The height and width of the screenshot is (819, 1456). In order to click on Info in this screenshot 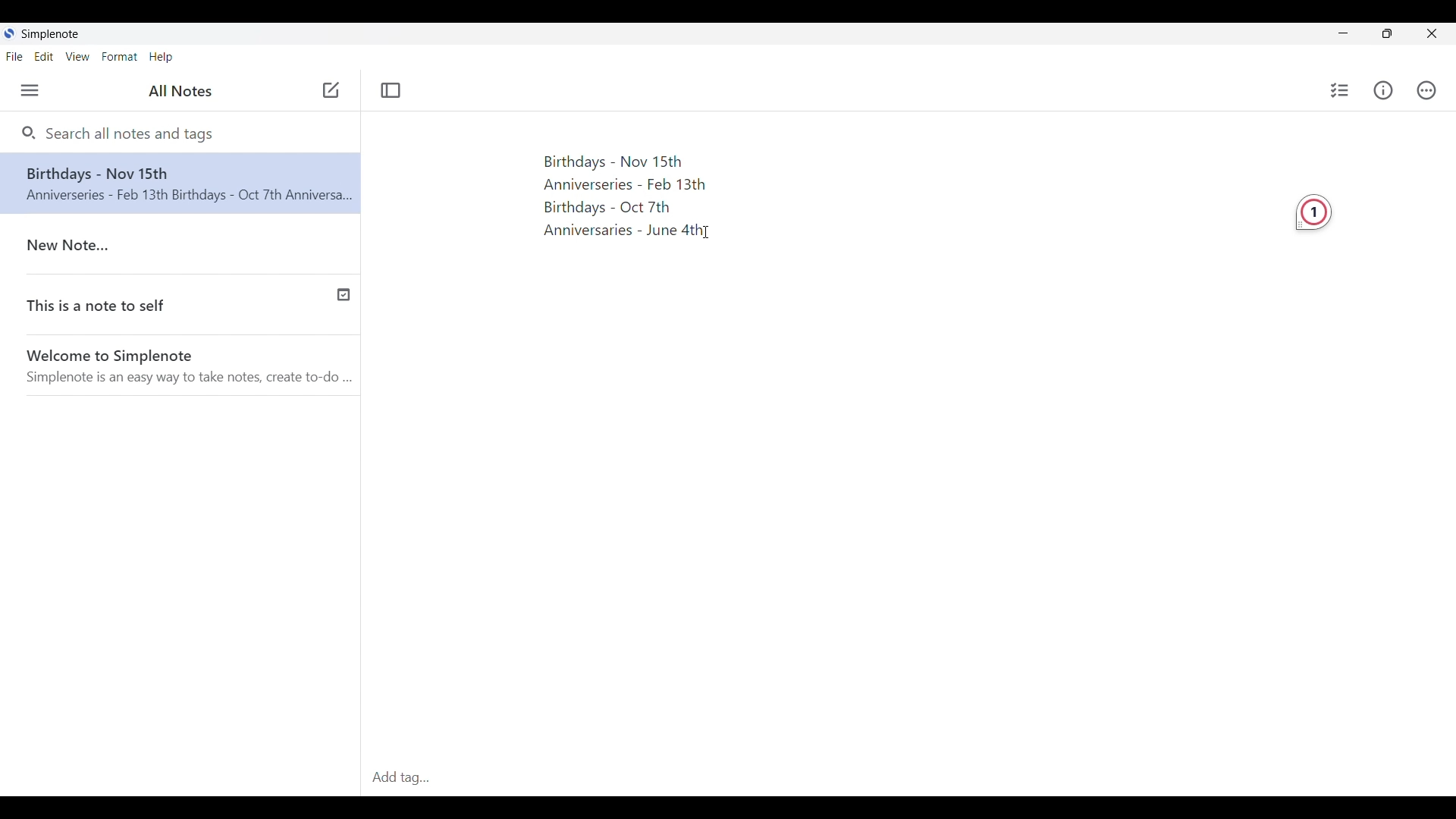, I will do `click(1383, 89)`.